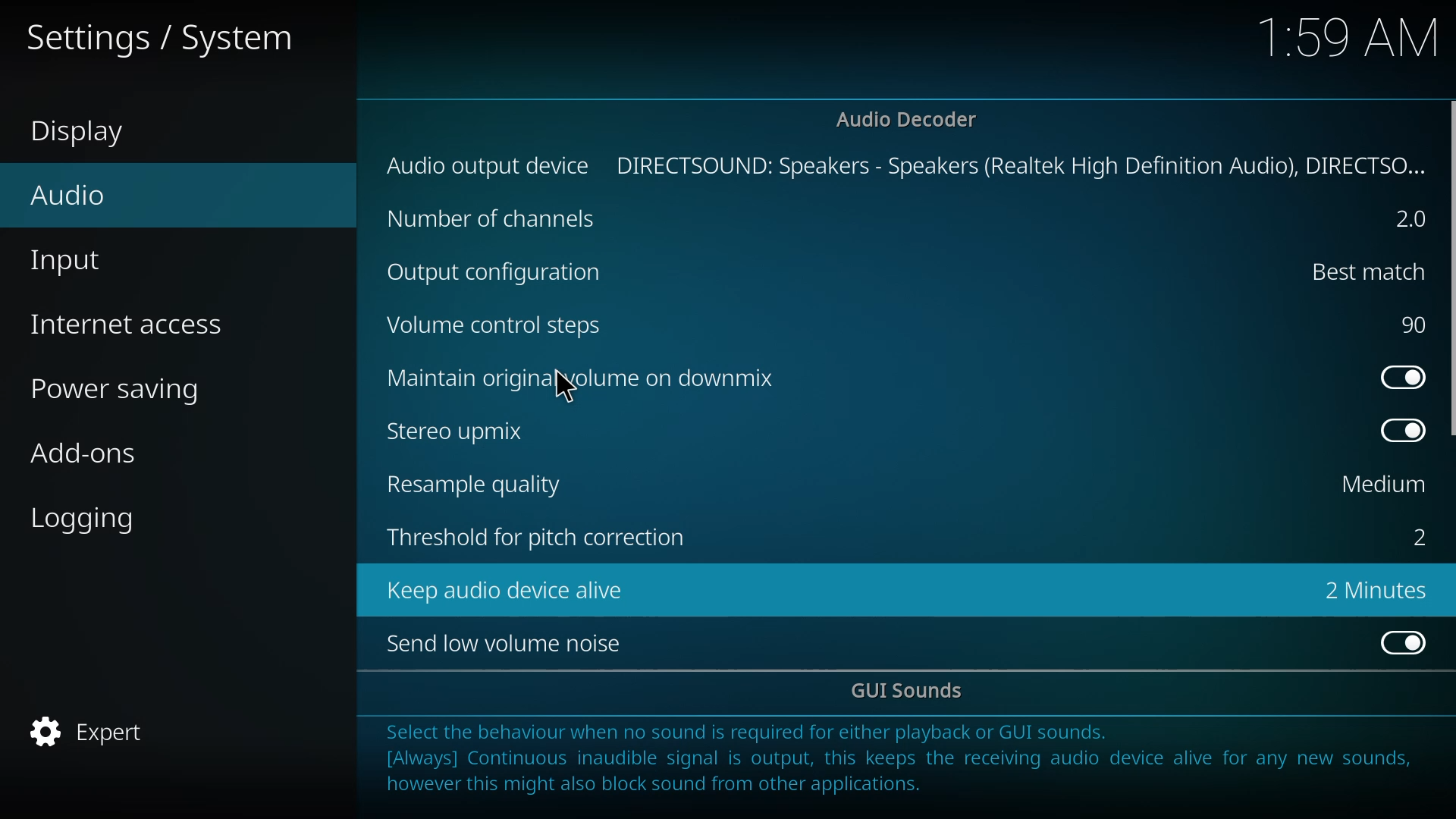  What do you see at coordinates (1021, 165) in the screenshot?
I see `directsound` at bounding box center [1021, 165].